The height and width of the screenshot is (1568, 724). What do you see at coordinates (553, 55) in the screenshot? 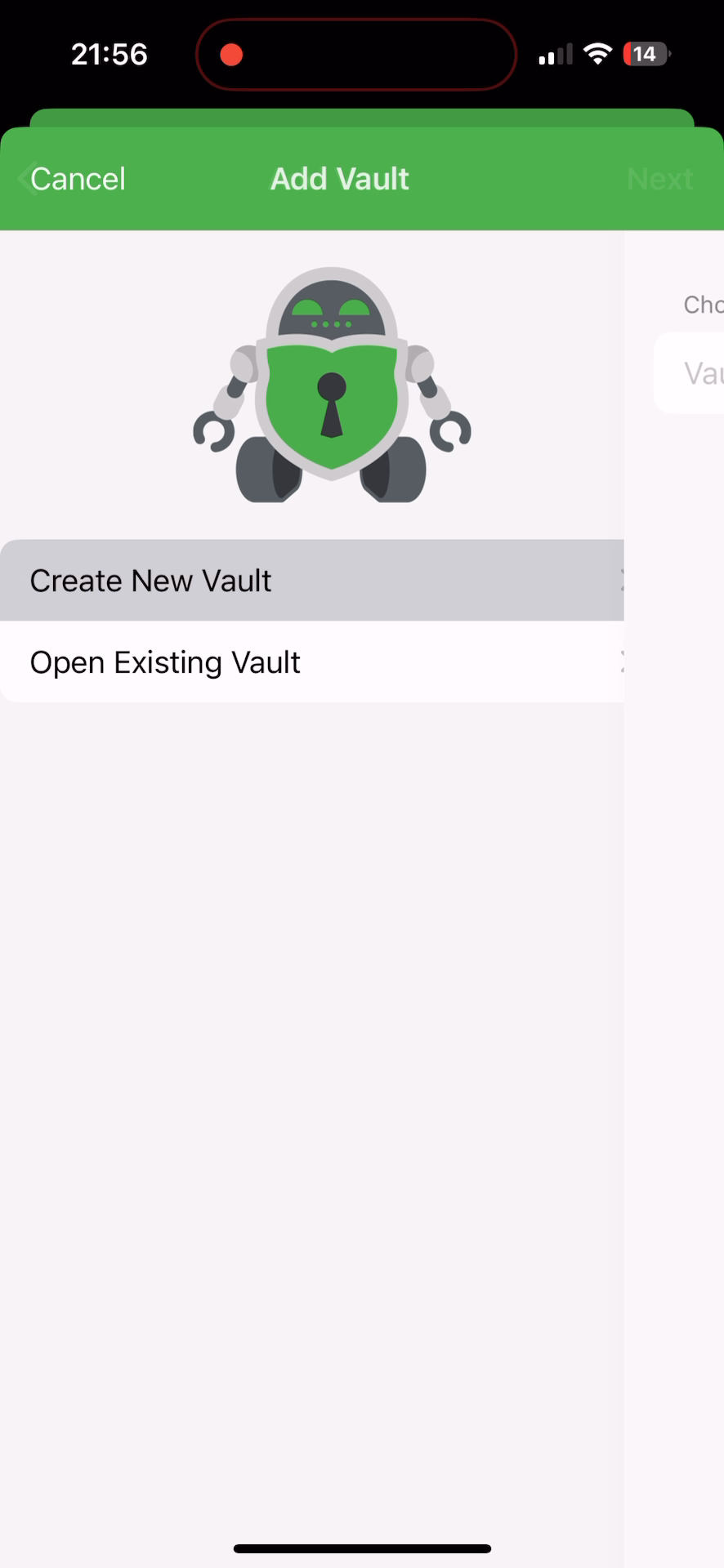
I see `signal` at bounding box center [553, 55].